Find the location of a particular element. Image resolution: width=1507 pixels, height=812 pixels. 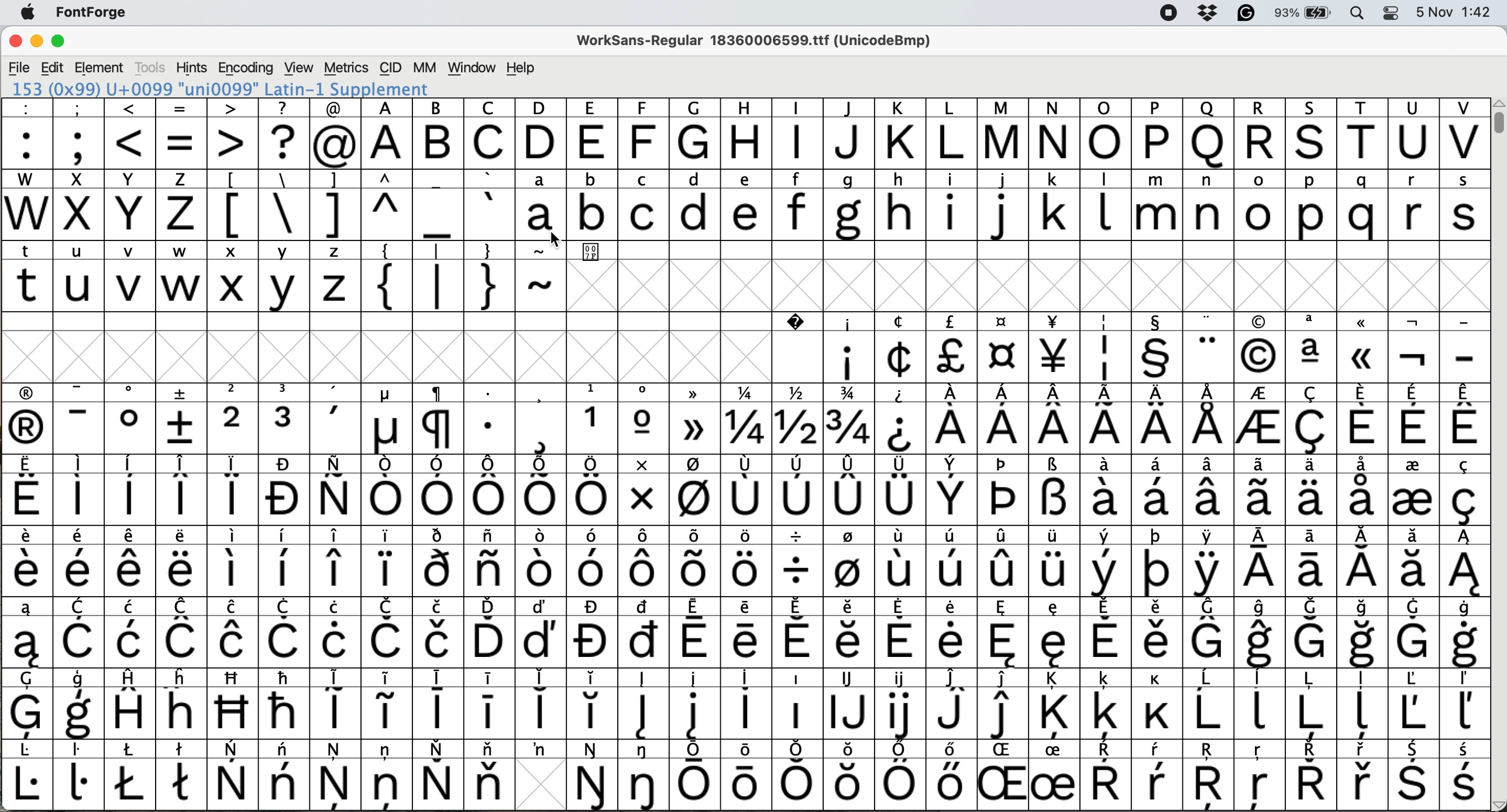

symbol is located at coordinates (951, 633).